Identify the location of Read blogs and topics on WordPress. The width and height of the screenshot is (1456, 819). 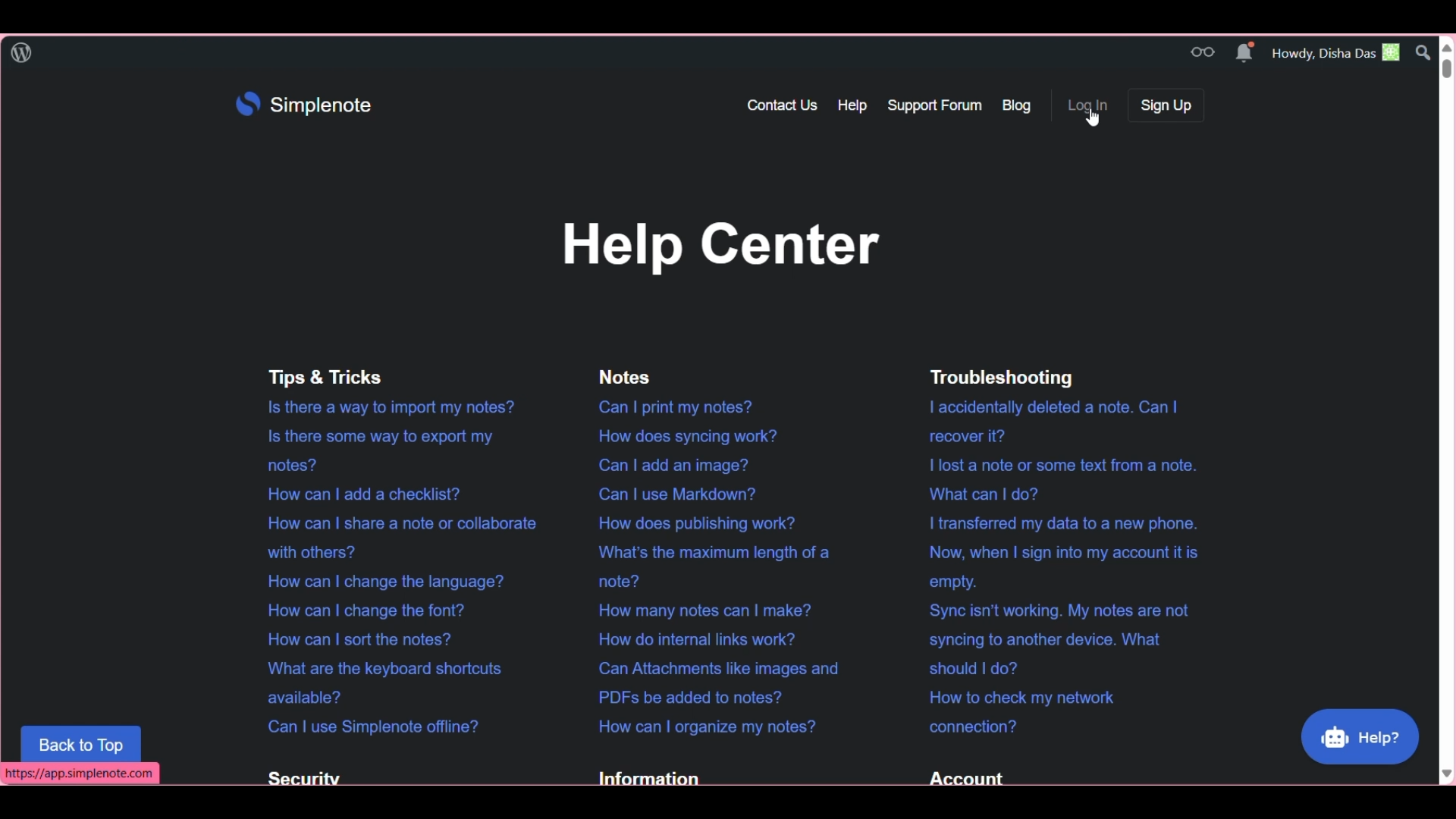
(1203, 52).